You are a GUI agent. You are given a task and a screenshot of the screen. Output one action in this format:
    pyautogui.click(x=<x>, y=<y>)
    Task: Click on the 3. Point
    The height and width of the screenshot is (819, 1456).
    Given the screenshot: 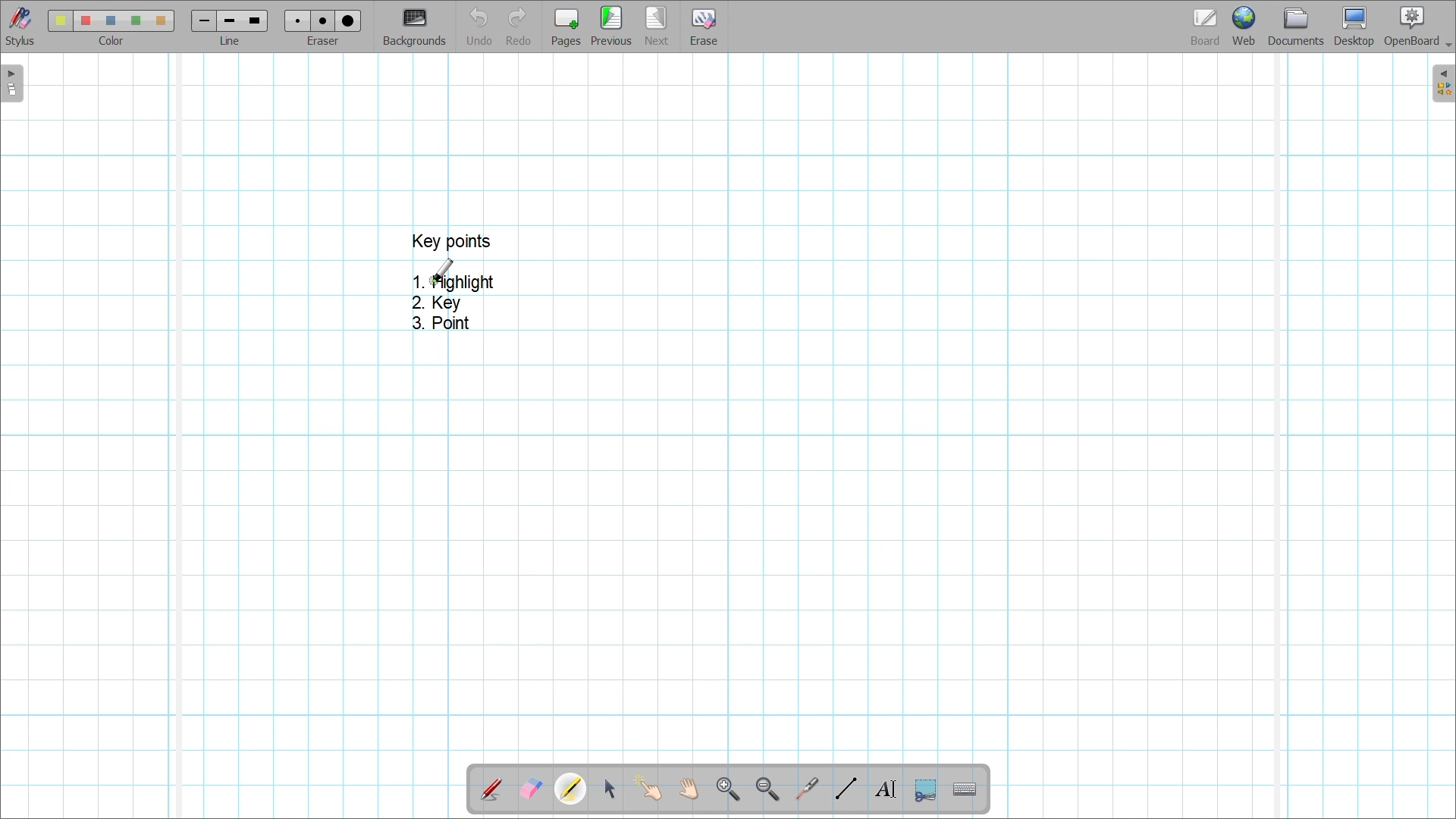 What is the action you would take?
    pyautogui.click(x=439, y=323)
    